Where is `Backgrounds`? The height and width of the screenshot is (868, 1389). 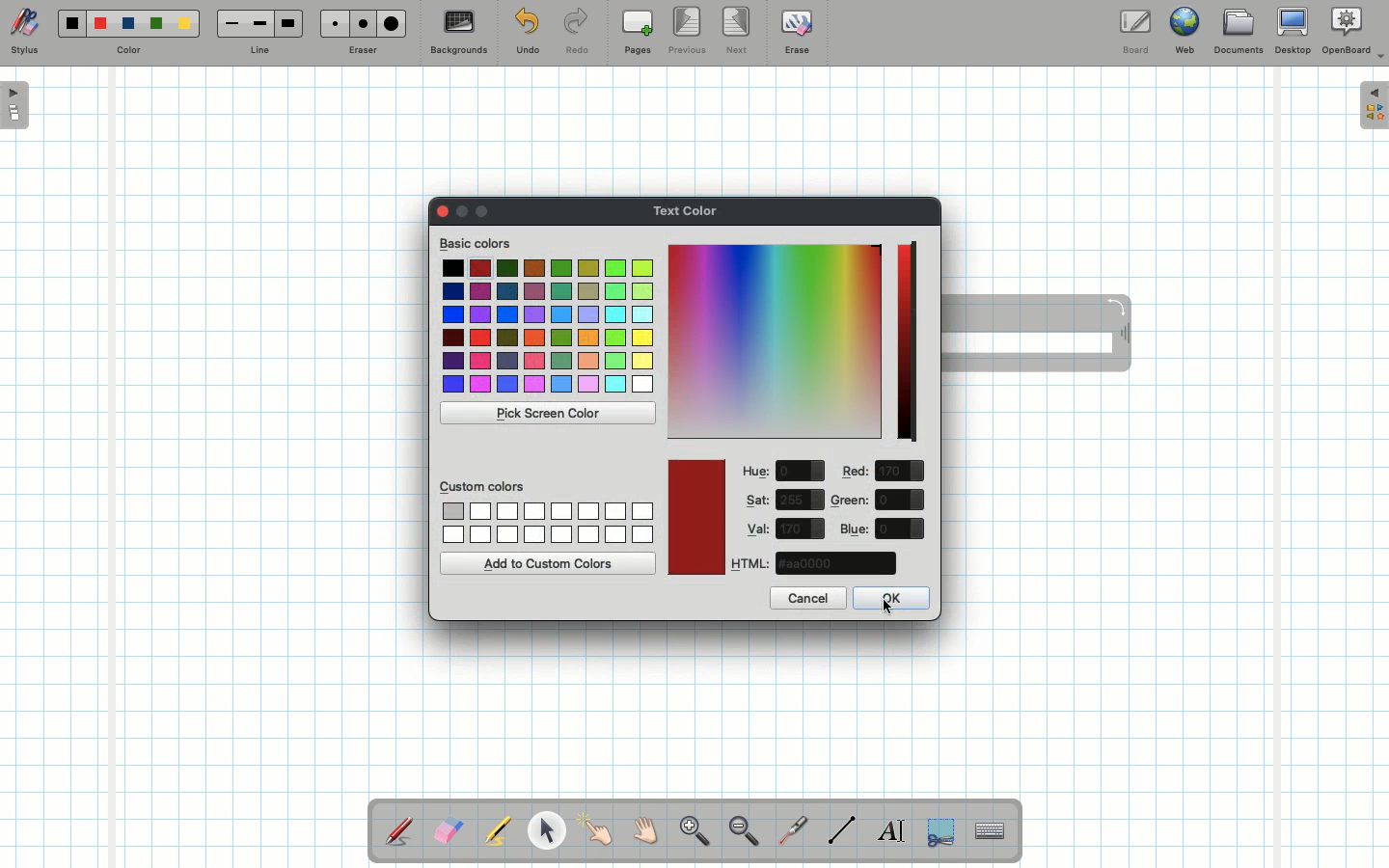
Backgrounds is located at coordinates (458, 33).